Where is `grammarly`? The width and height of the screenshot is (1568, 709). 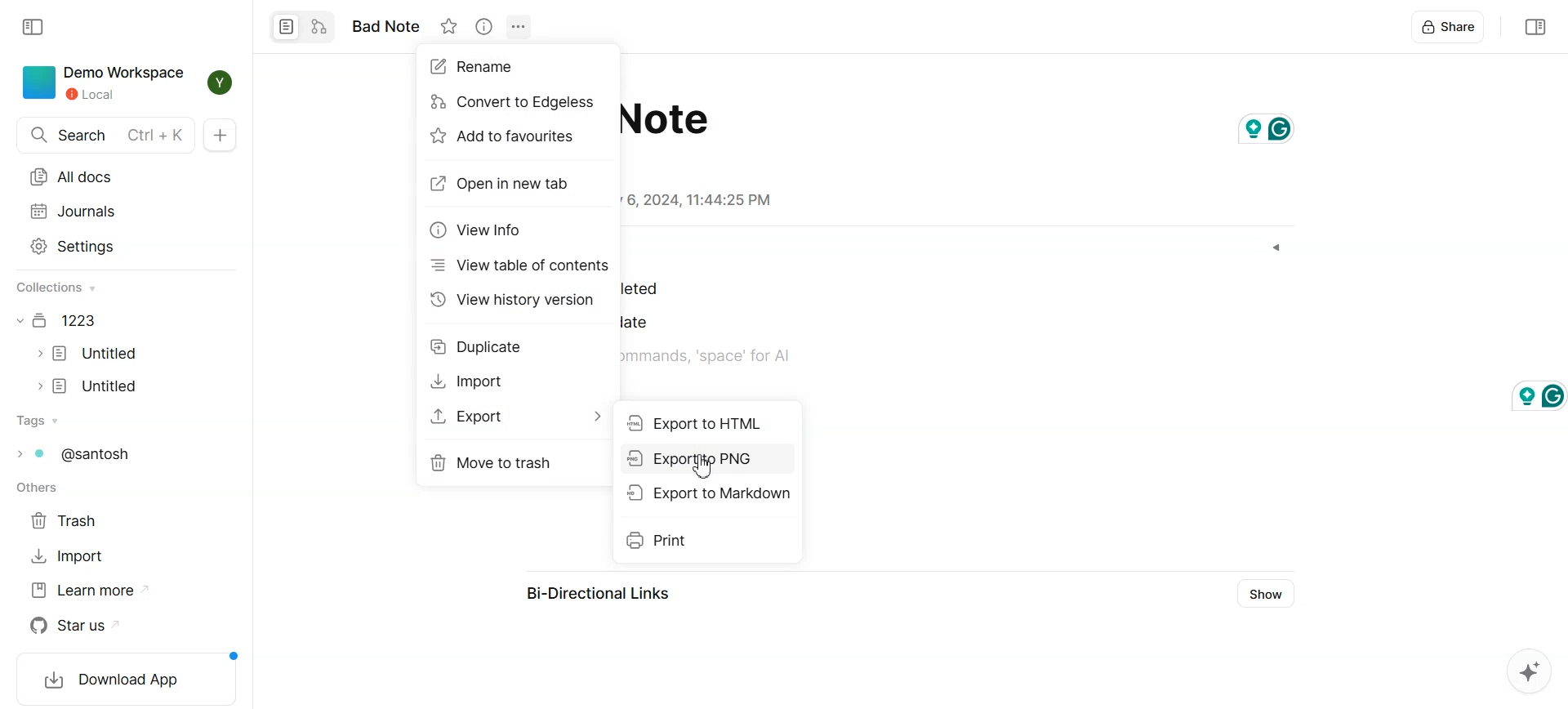 grammarly is located at coordinates (1530, 395).